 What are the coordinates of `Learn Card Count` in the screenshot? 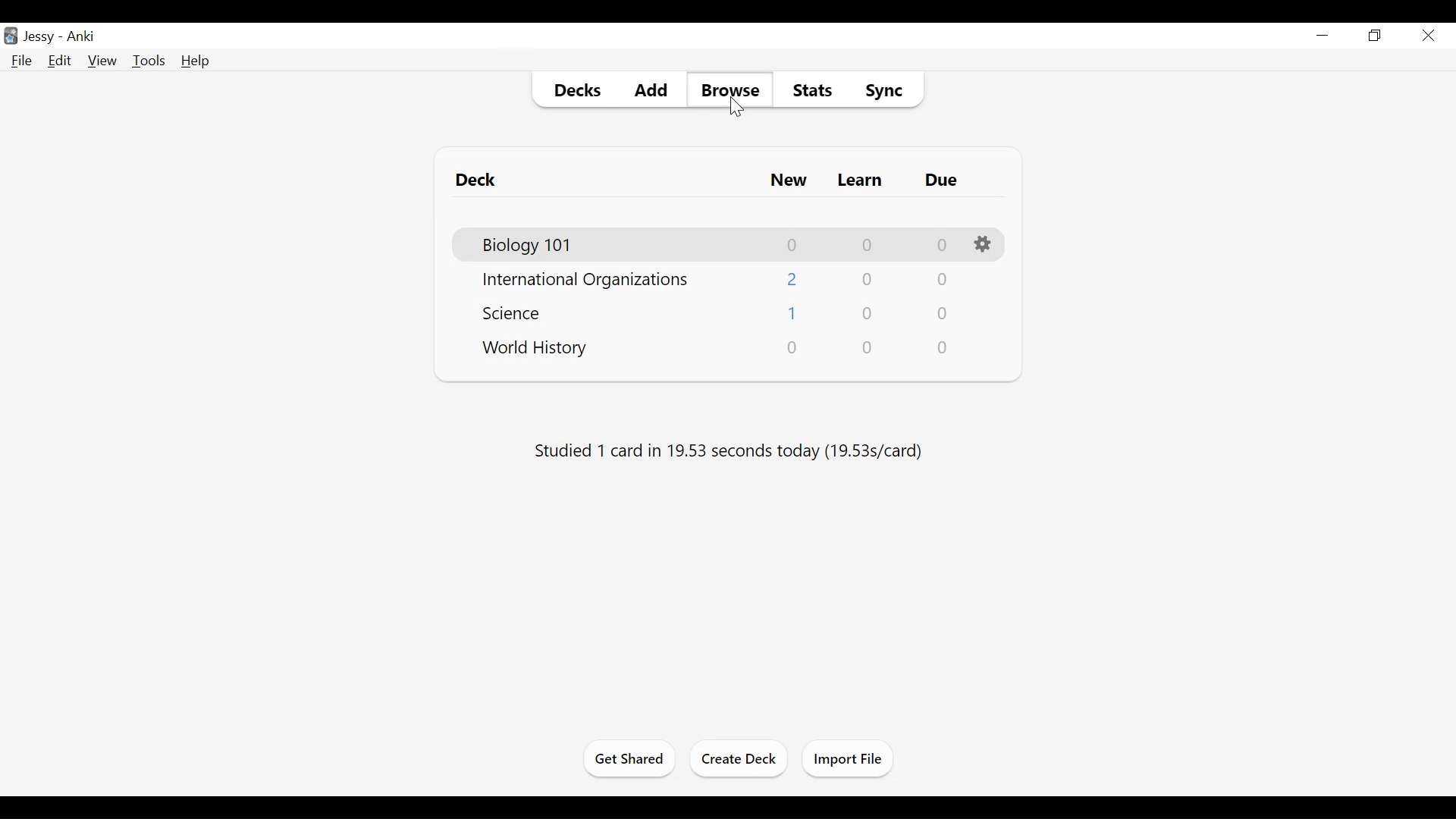 It's located at (865, 245).